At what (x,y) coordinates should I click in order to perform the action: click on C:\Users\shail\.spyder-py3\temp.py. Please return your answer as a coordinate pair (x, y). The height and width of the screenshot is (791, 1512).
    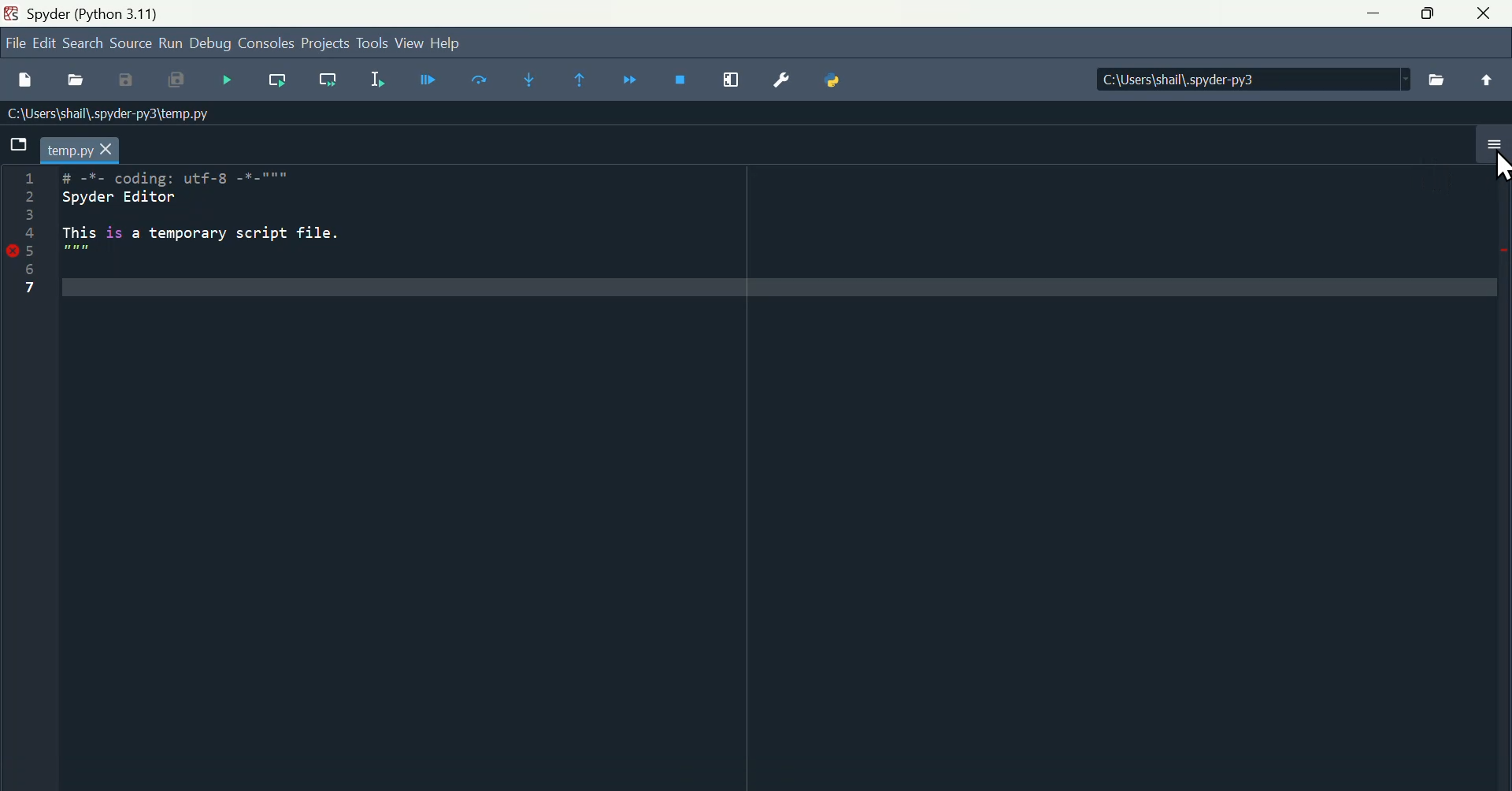
    Looking at the image, I should click on (111, 114).